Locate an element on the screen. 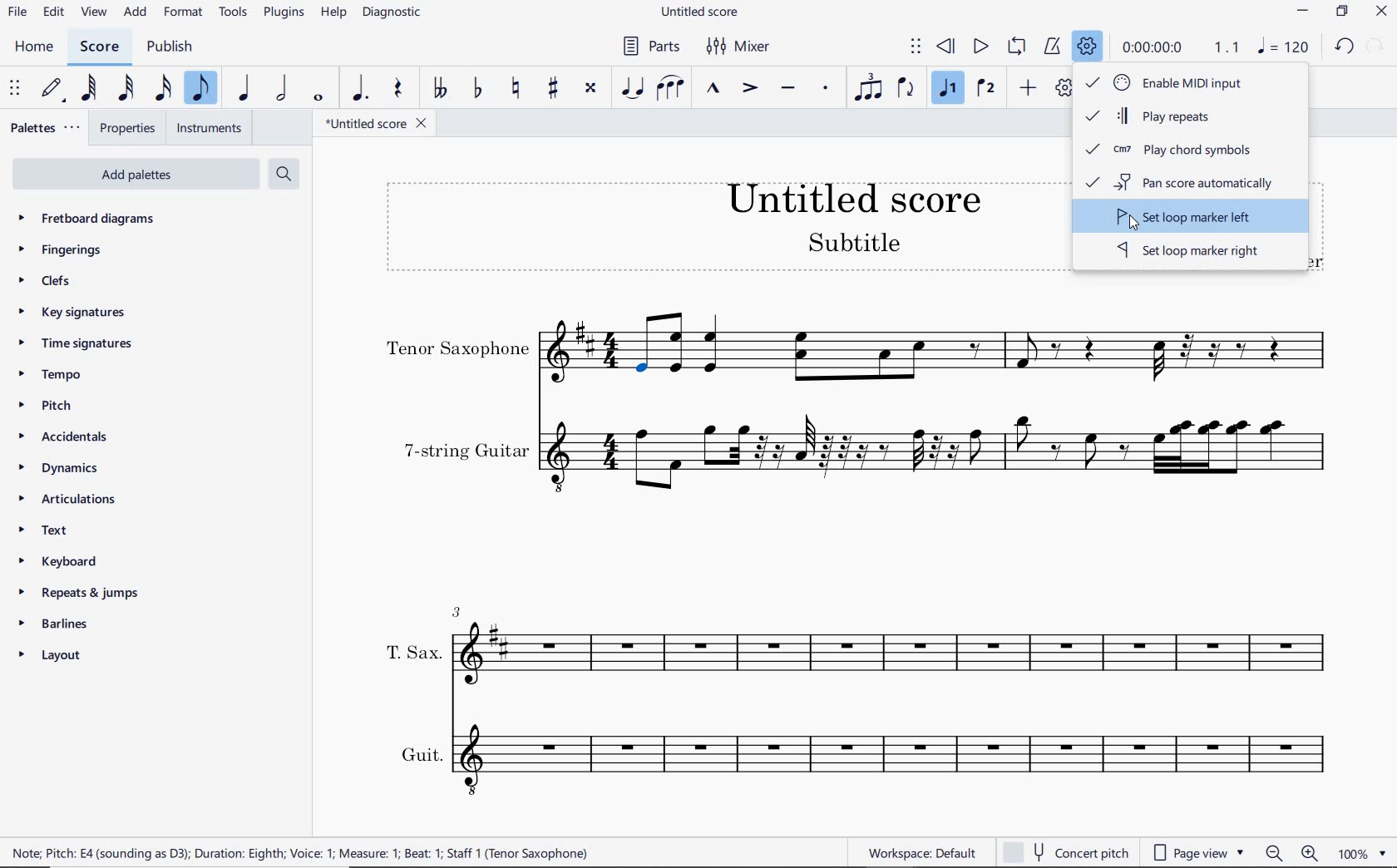  ARTICULATIONS is located at coordinates (67, 499).